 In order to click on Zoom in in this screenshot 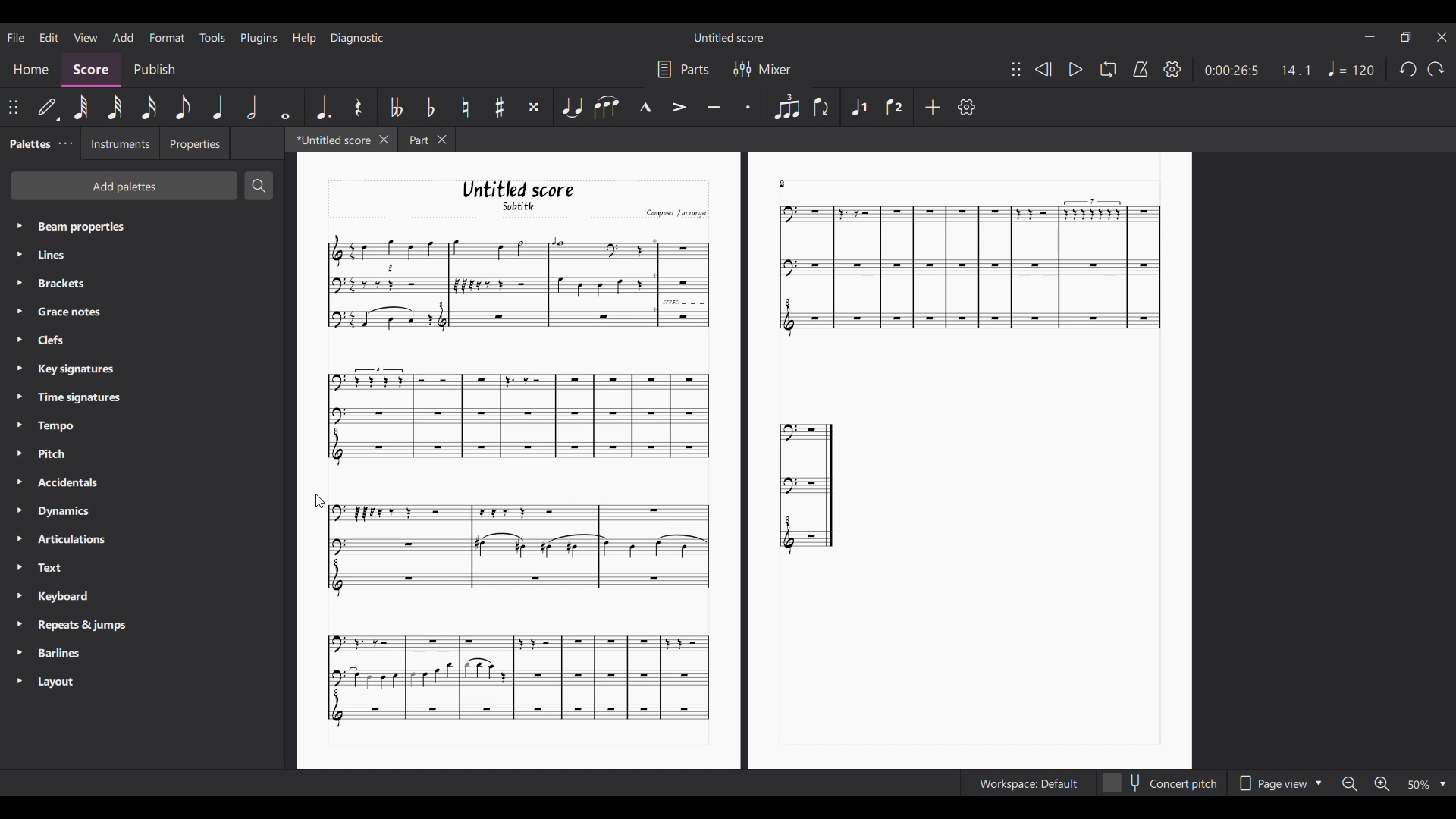, I will do `click(1383, 785)`.